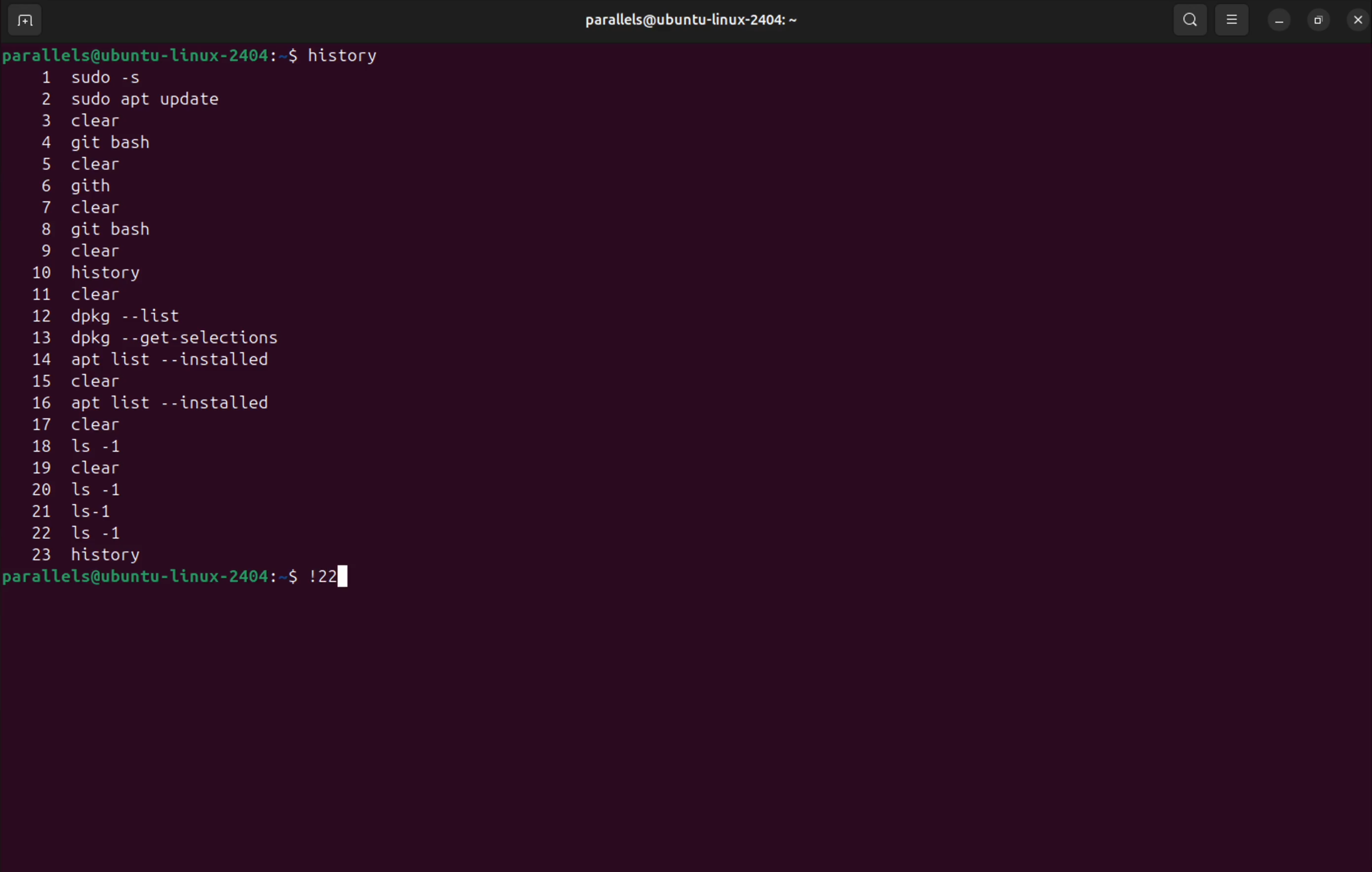 The width and height of the screenshot is (1372, 872). Describe the element at coordinates (96, 294) in the screenshot. I see `11 clear` at that location.